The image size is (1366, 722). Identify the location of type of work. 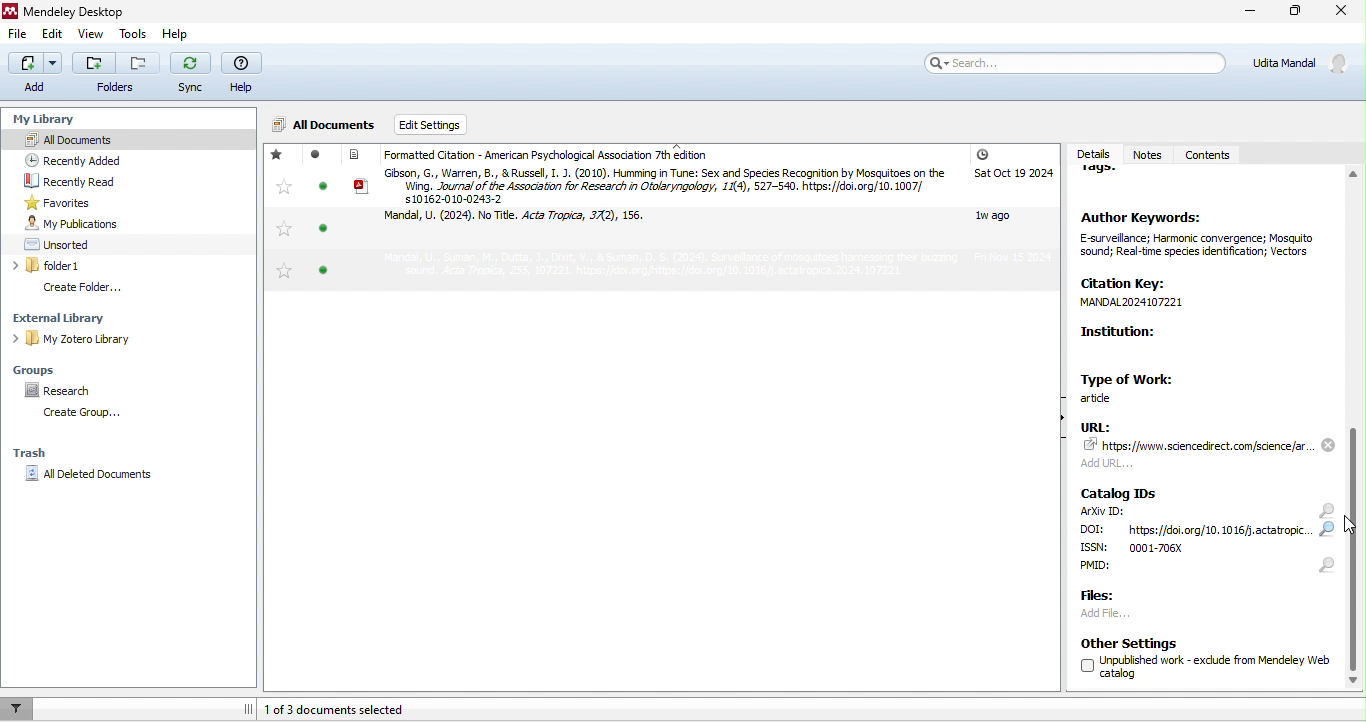
(1136, 386).